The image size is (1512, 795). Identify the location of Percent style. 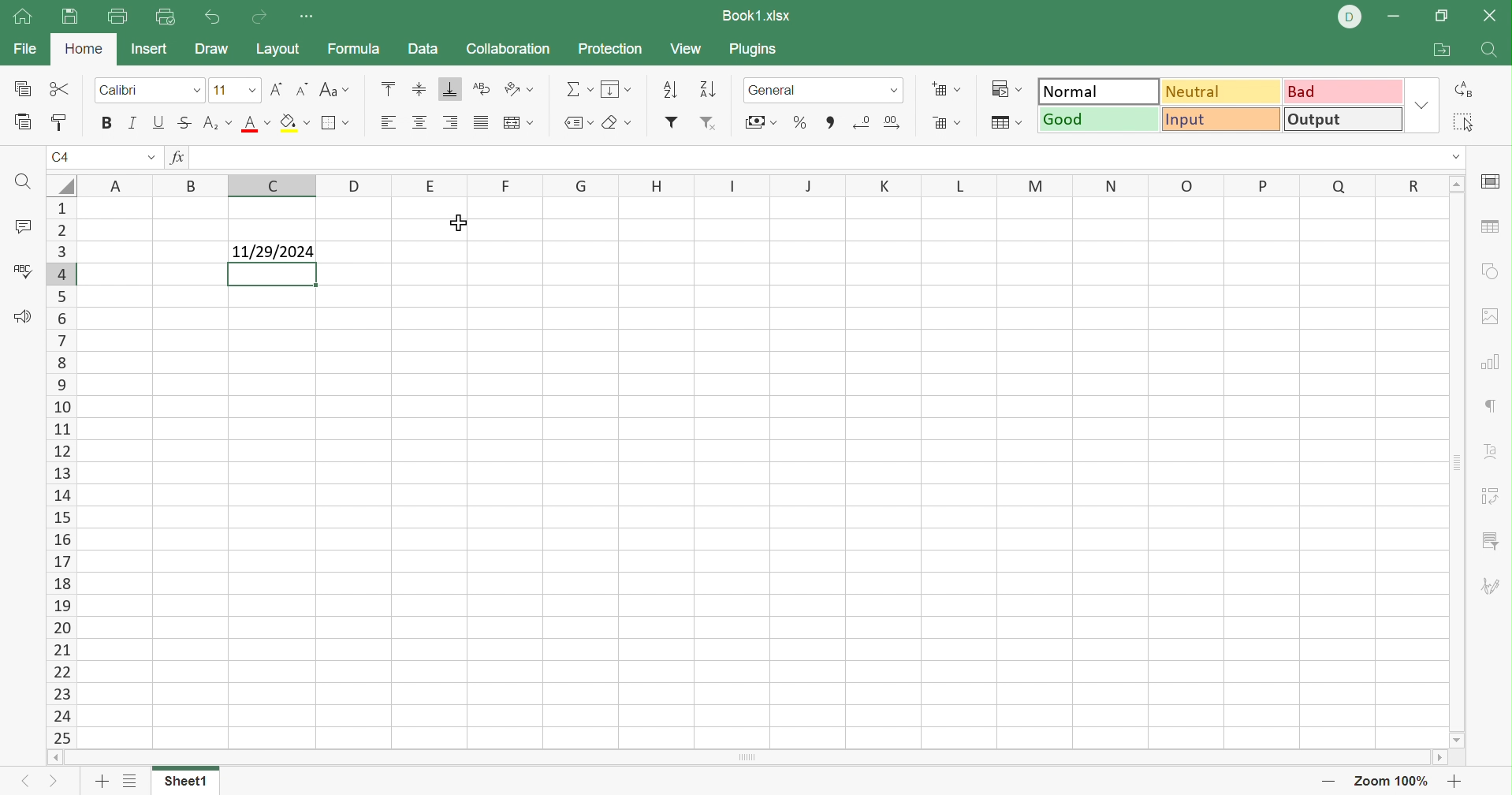
(798, 123).